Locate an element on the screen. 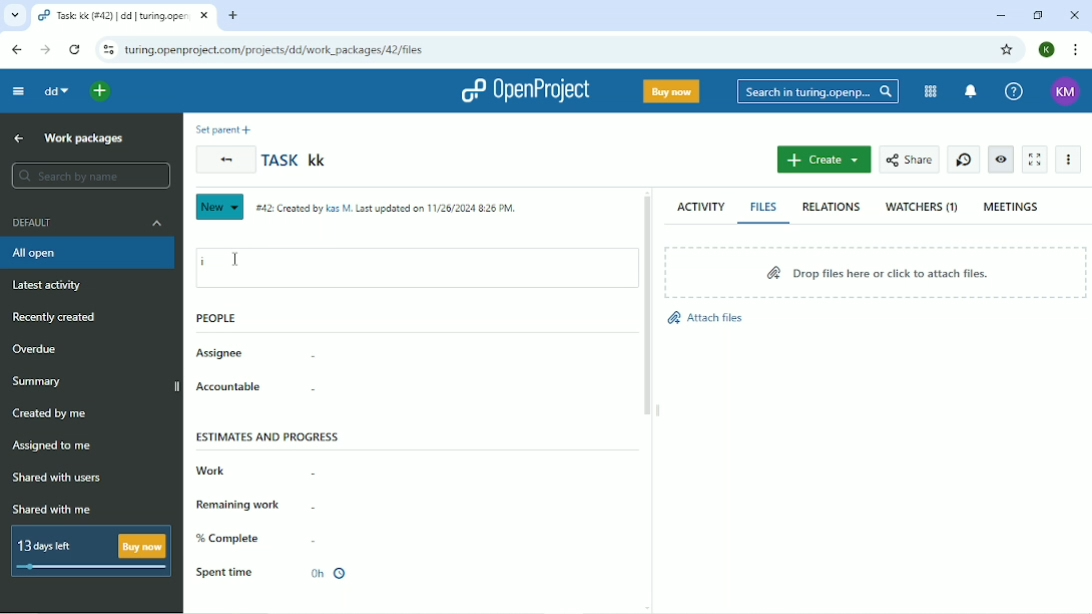 The height and width of the screenshot is (614, 1092). Start new timer is located at coordinates (964, 159).